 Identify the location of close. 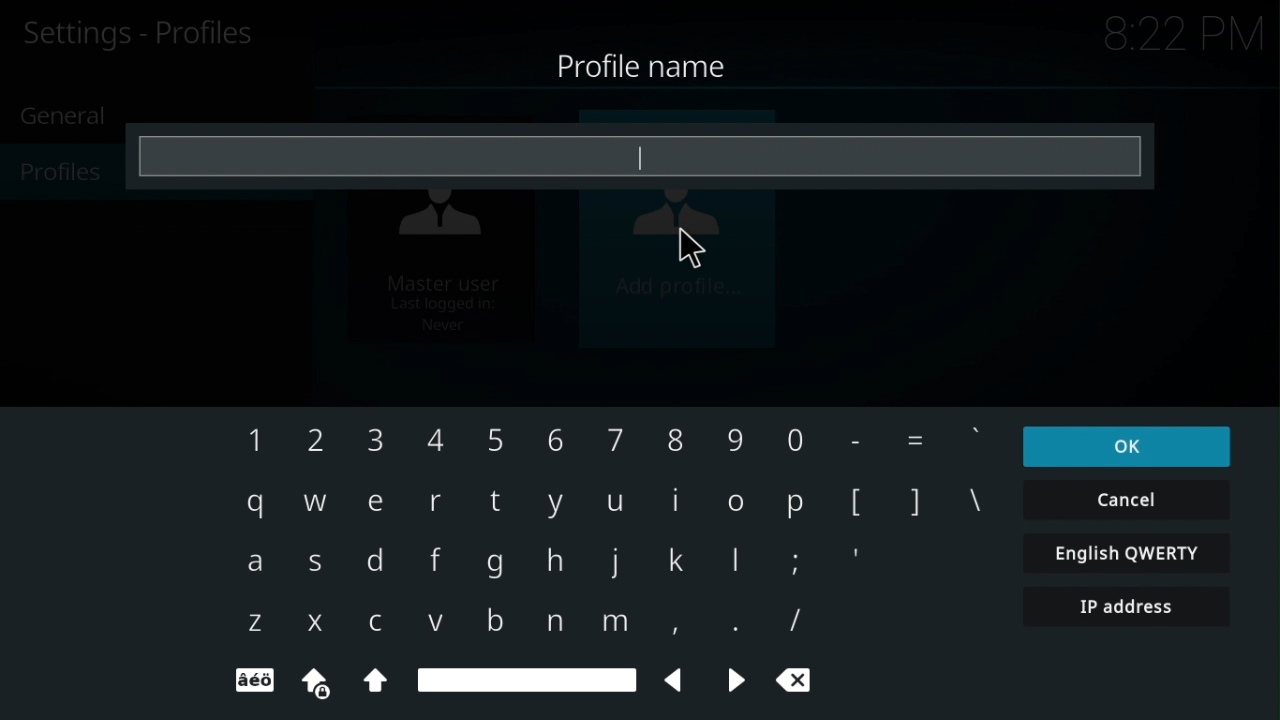
(795, 678).